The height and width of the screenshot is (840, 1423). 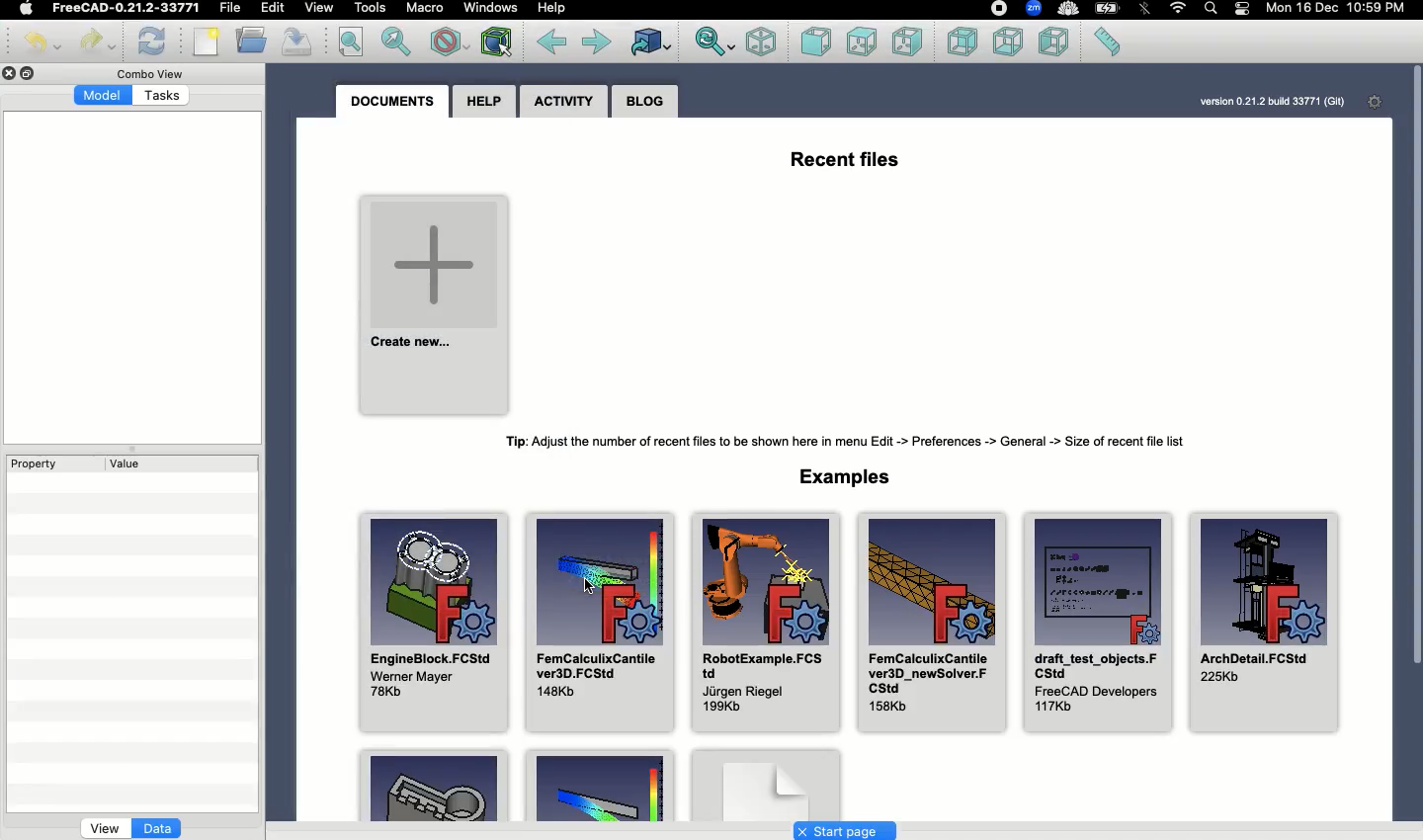 I want to click on Start page, so click(x=845, y=830).